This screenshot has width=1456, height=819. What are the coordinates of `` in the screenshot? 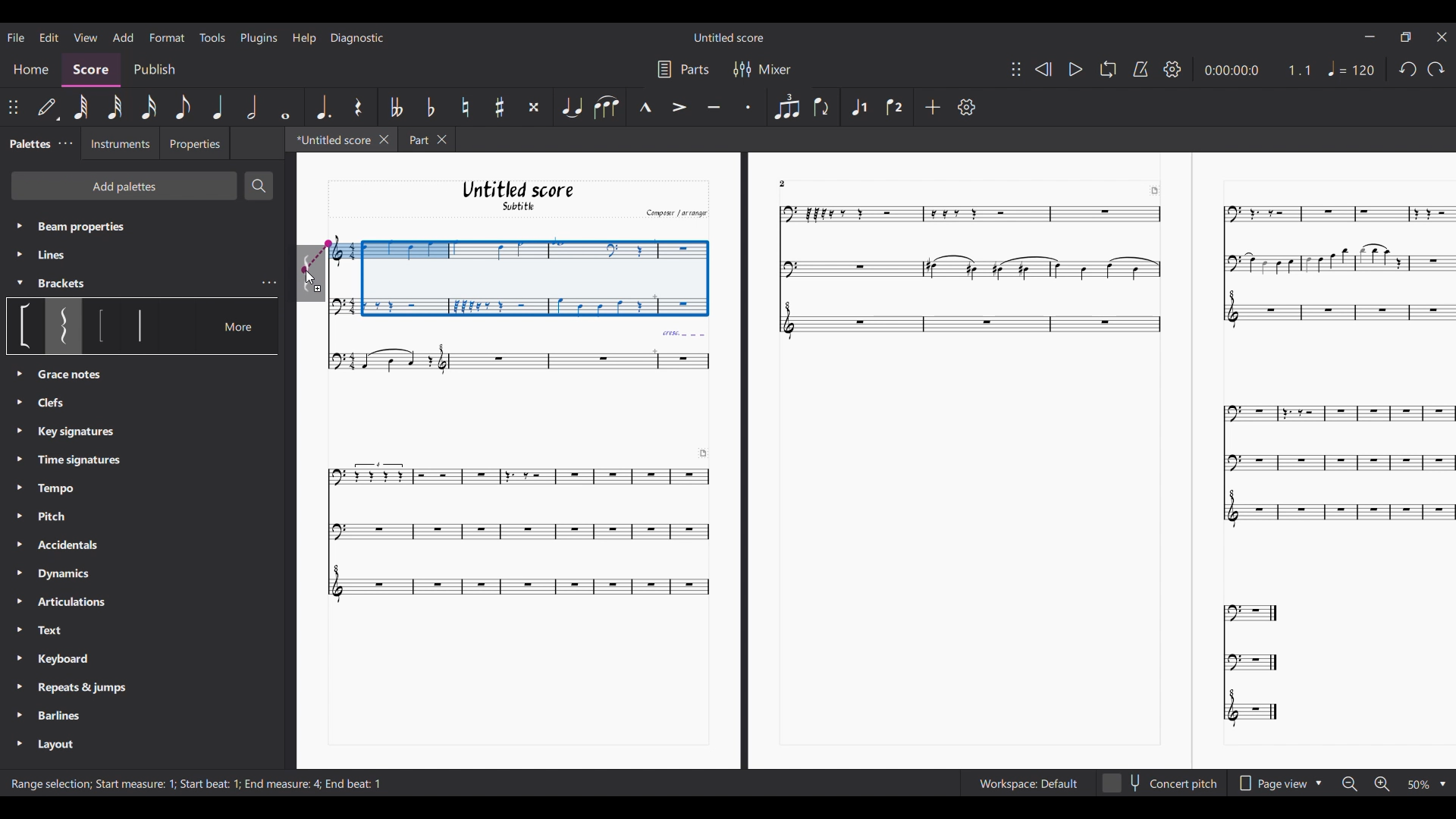 It's located at (521, 585).